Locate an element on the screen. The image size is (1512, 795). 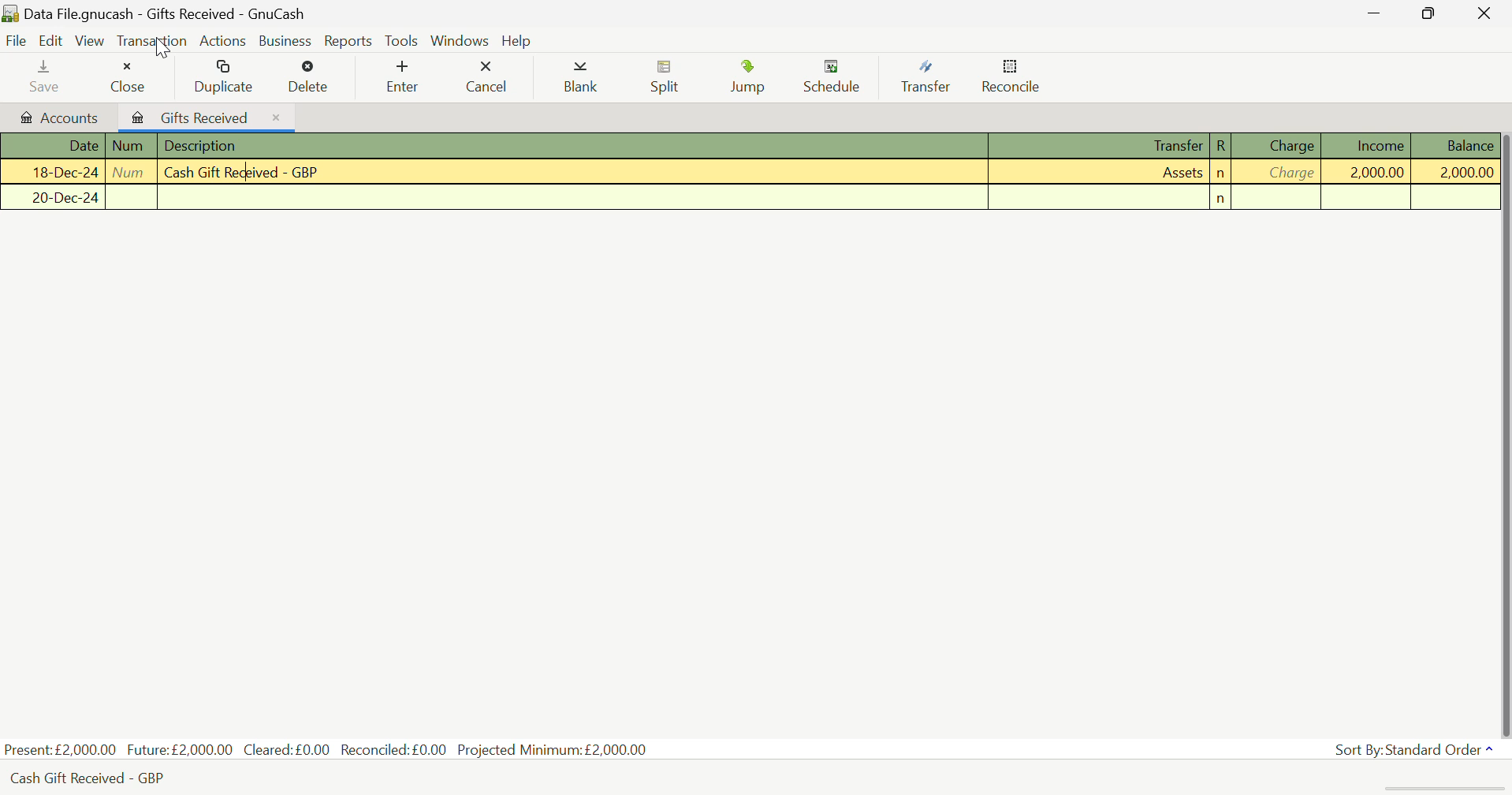
Date is located at coordinates (52, 146).